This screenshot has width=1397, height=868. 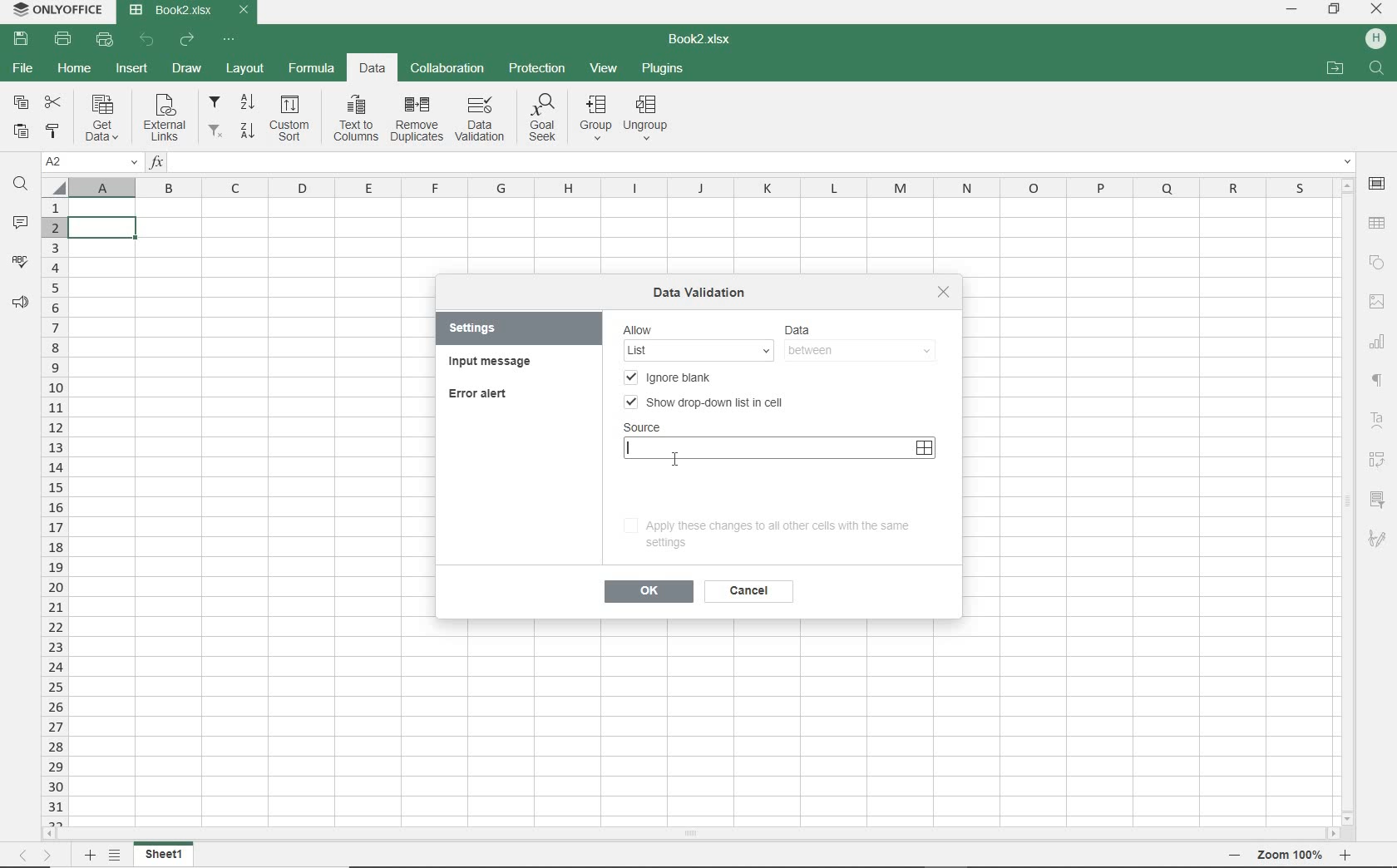 I want to click on remove filters, so click(x=217, y=133).